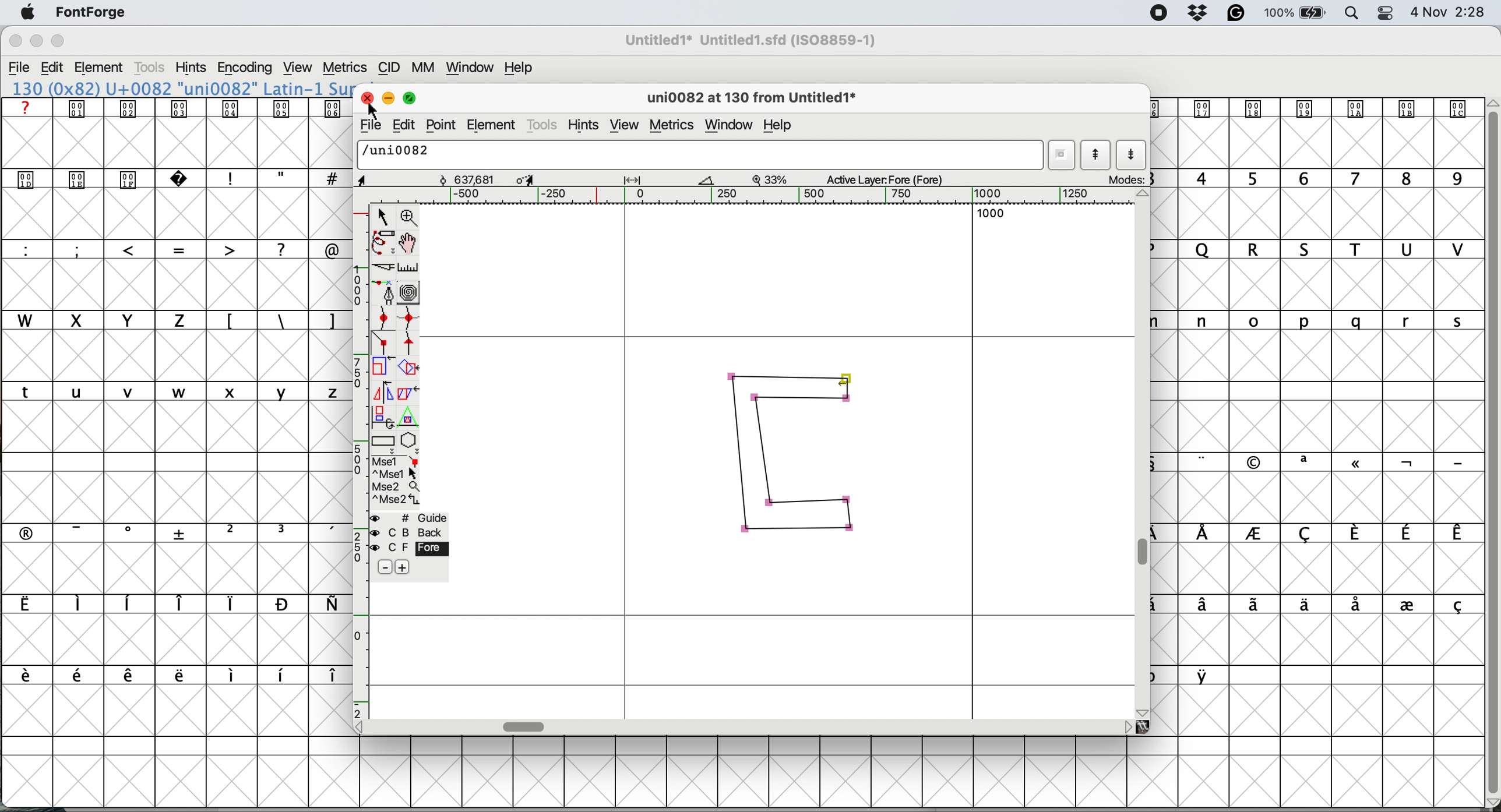  Describe the element at coordinates (769, 196) in the screenshot. I see `horizontal scale` at that location.